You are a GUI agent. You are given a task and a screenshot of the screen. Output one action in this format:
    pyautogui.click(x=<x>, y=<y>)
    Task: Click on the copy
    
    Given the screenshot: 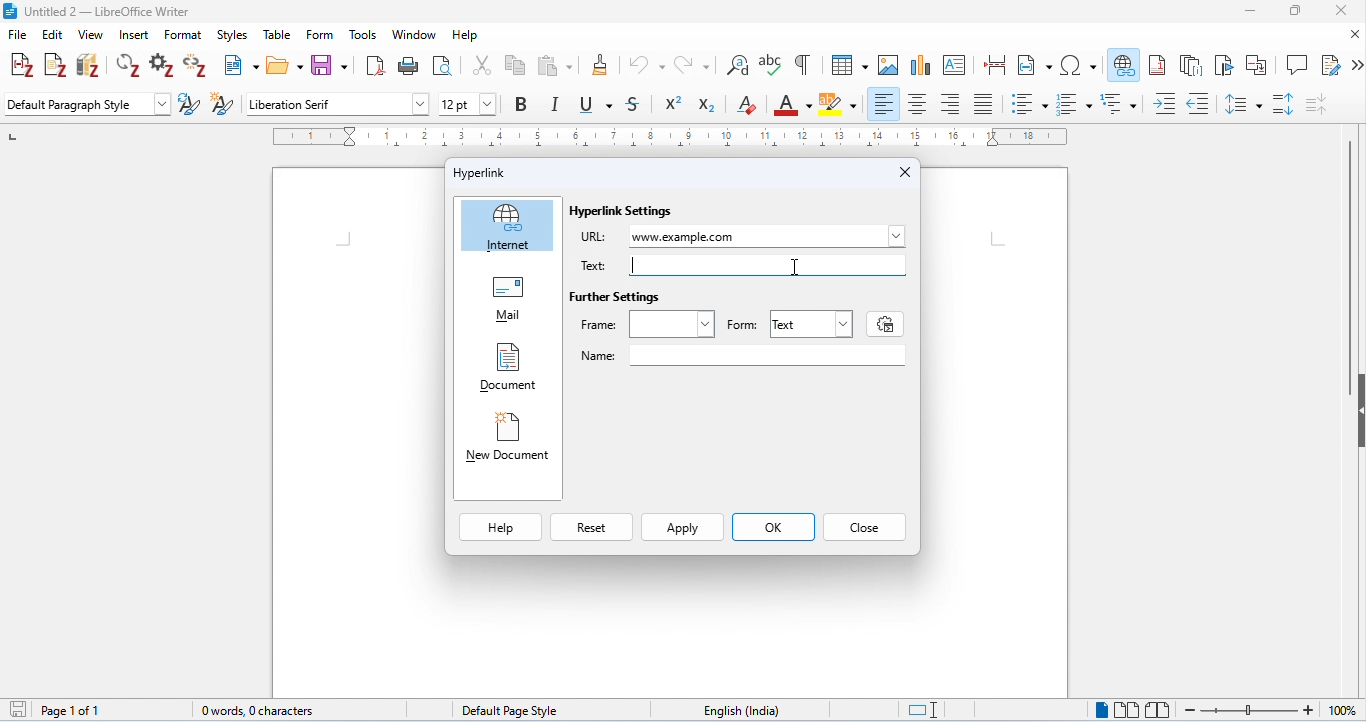 What is the action you would take?
    pyautogui.click(x=516, y=65)
    